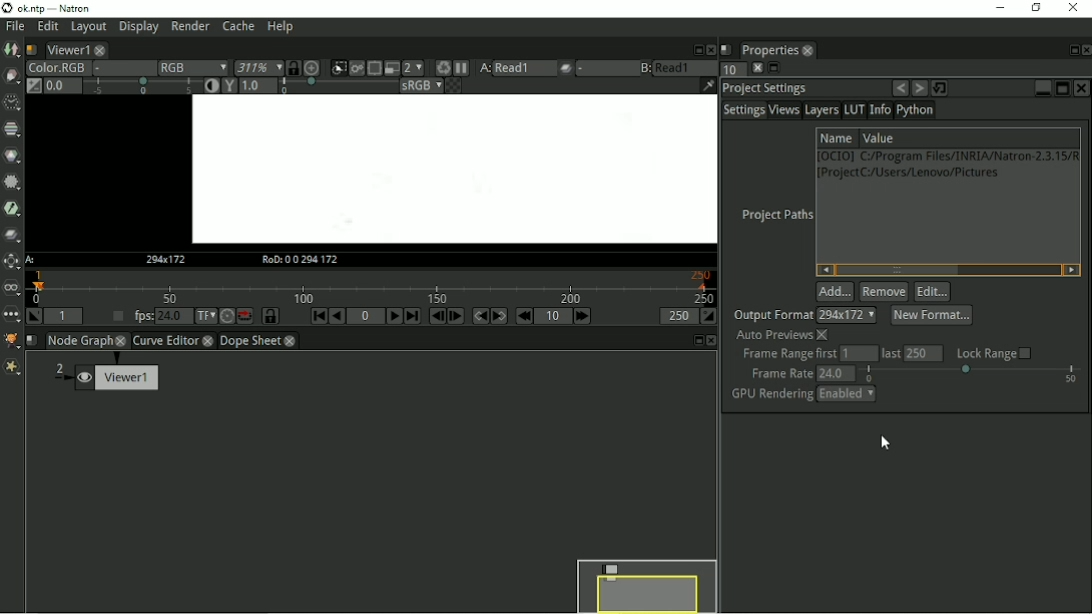 The height and width of the screenshot is (614, 1092). What do you see at coordinates (732, 70) in the screenshot?
I see `Maximum number of panels` at bounding box center [732, 70].